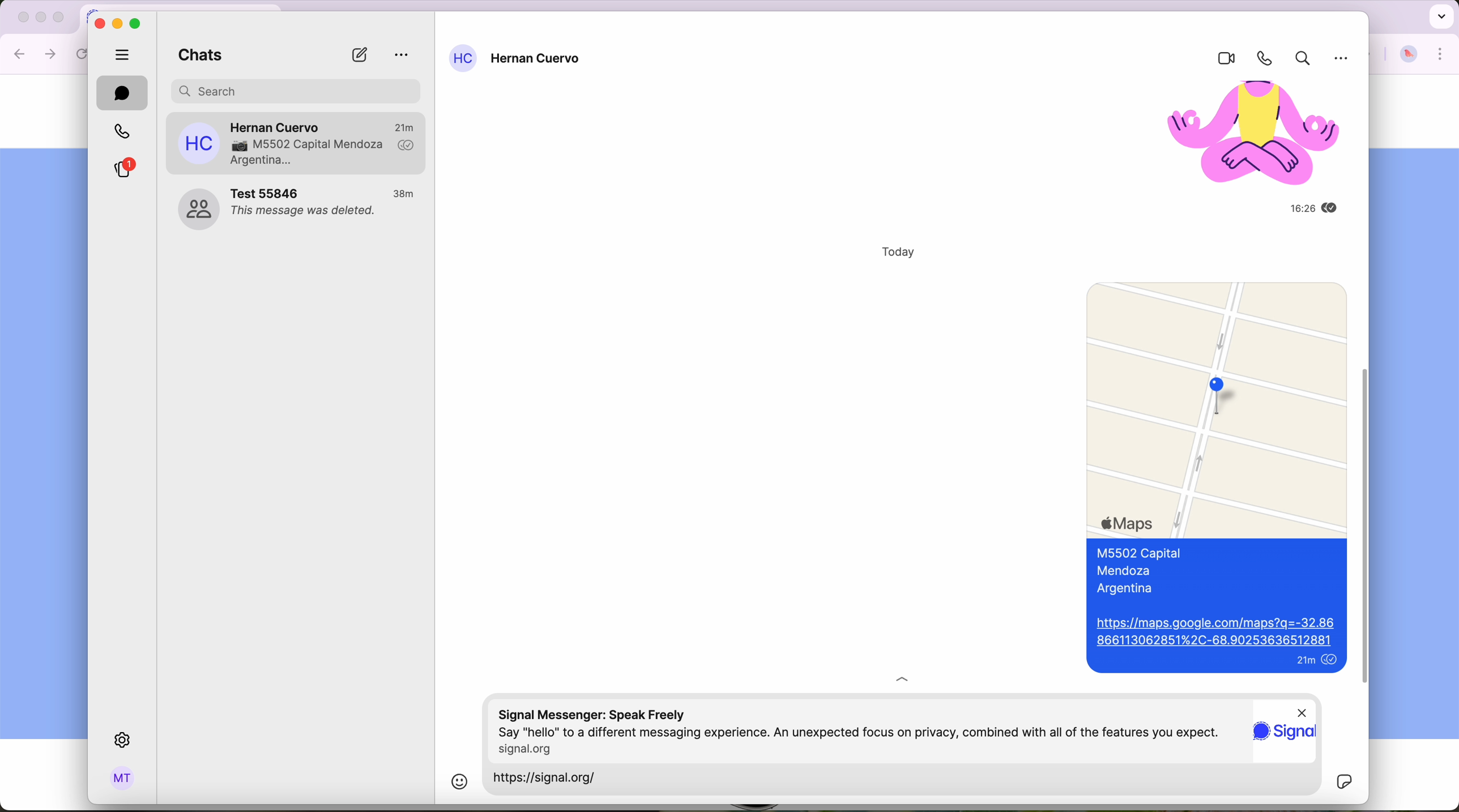 The width and height of the screenshot is (1459, 812). I want to click on screen buttons, so click(118, 23).